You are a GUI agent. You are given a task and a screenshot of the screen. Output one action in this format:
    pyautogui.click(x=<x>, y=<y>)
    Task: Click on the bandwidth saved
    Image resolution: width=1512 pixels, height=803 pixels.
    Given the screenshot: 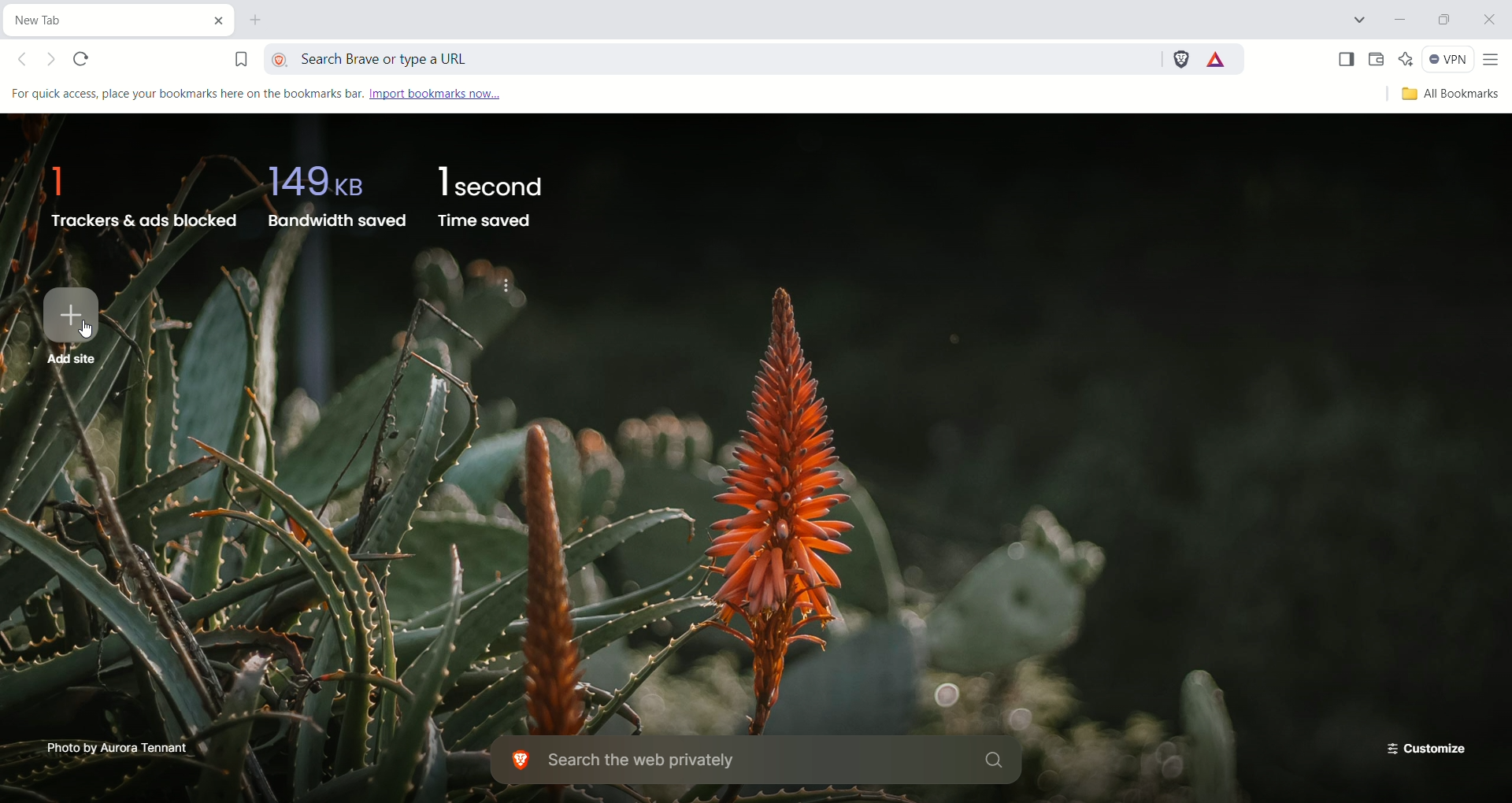 What is the action you would take?
    pyautogui.click(x=334, y=193)
    